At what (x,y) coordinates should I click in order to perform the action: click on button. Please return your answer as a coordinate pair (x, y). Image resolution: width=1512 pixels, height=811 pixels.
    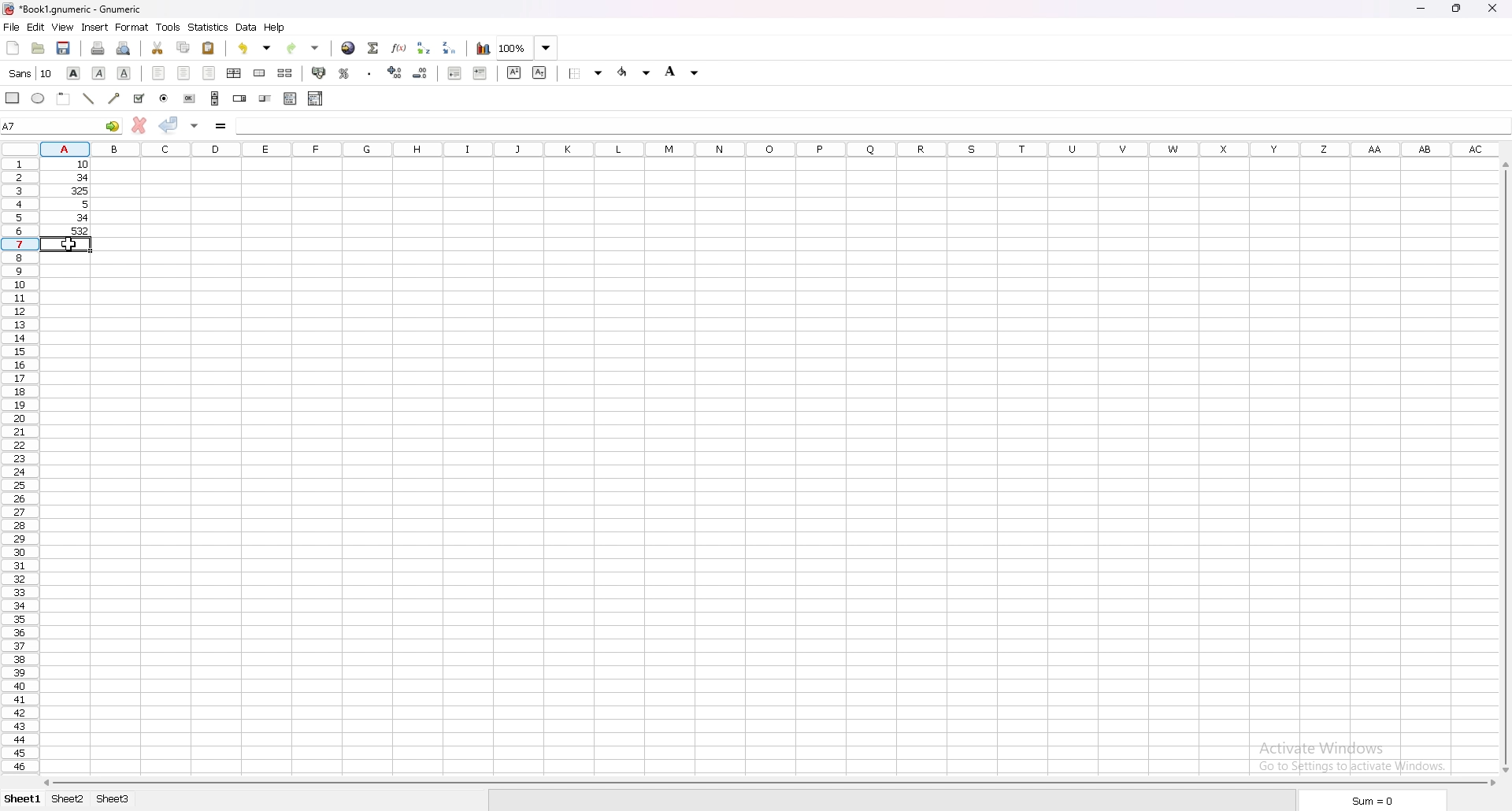
    Looking at the image, I should click on (190, 98).